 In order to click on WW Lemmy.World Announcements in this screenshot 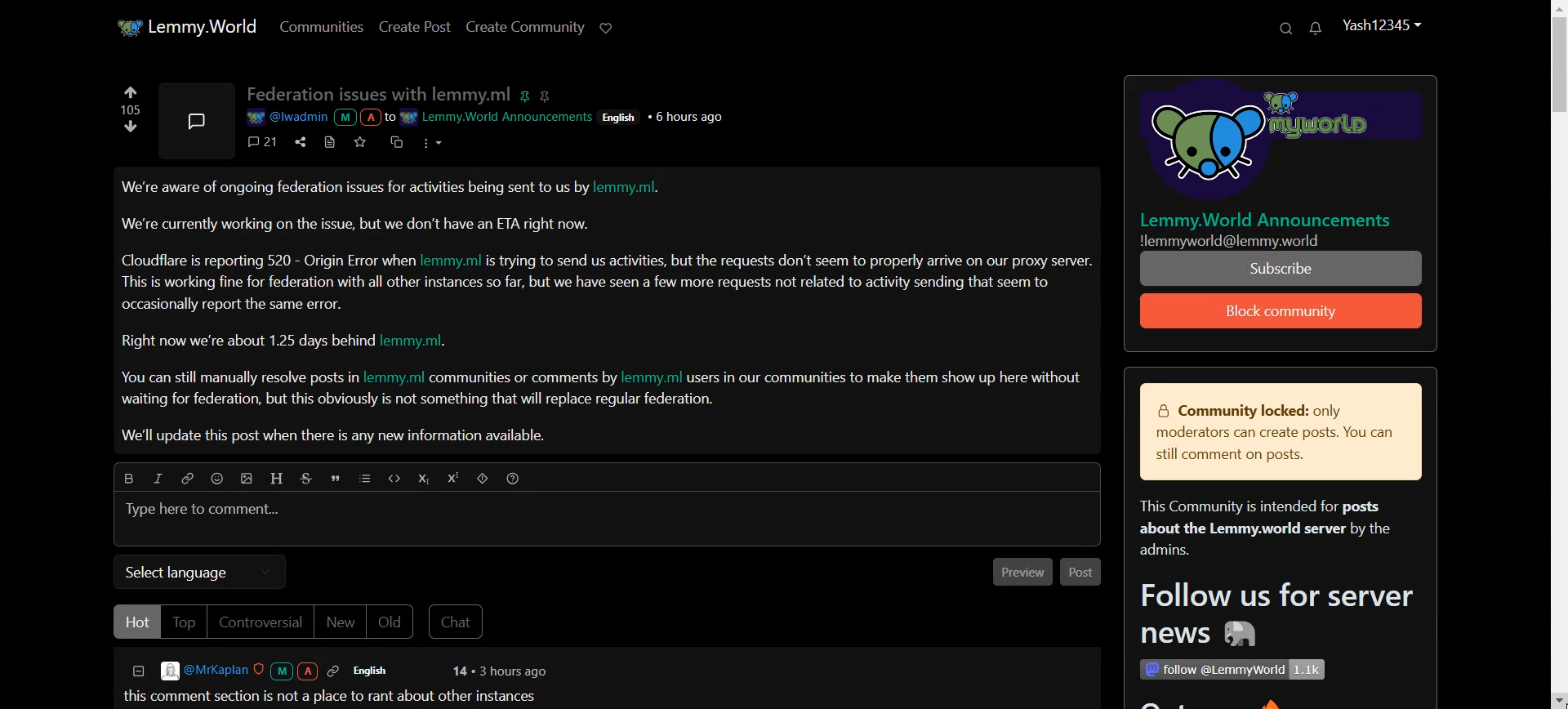, I will do `click(499, 118)`.